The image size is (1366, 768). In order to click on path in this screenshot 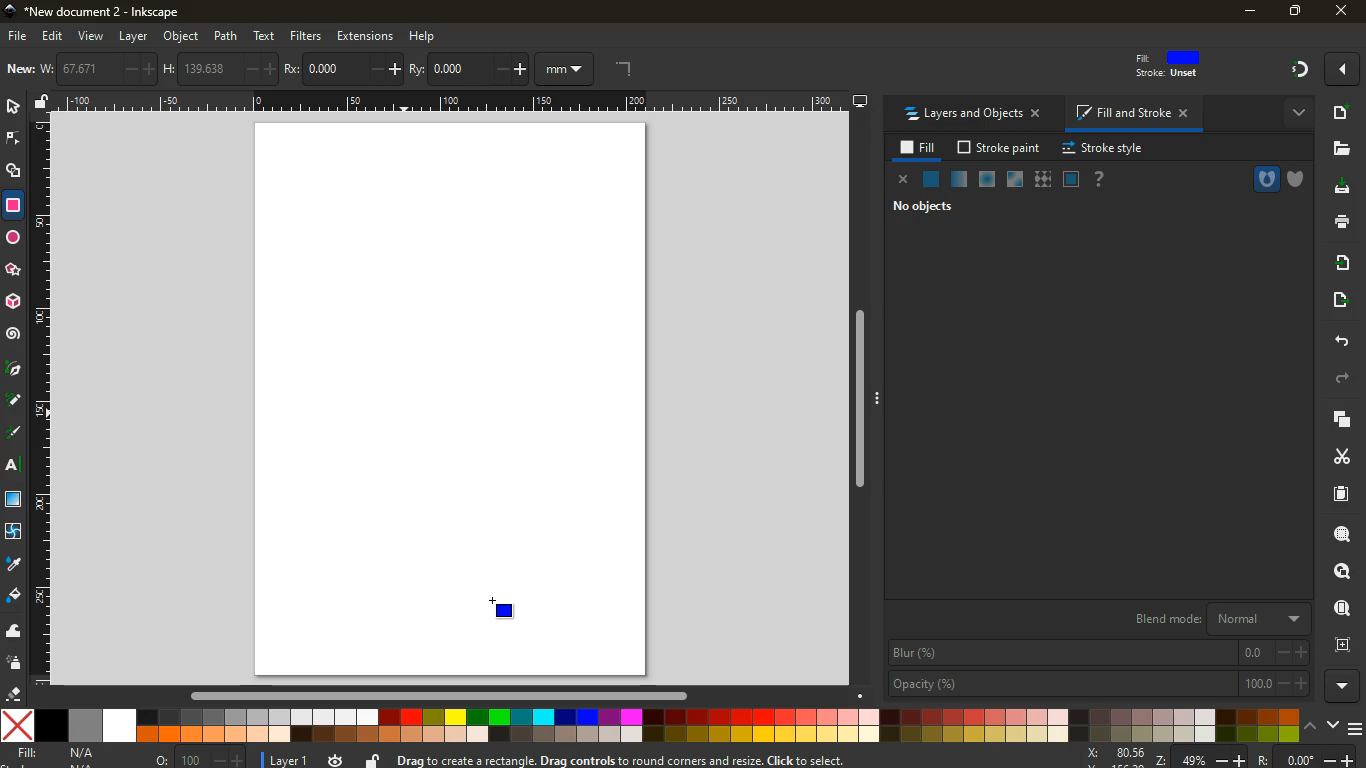, I will do `click(225, 36)`.